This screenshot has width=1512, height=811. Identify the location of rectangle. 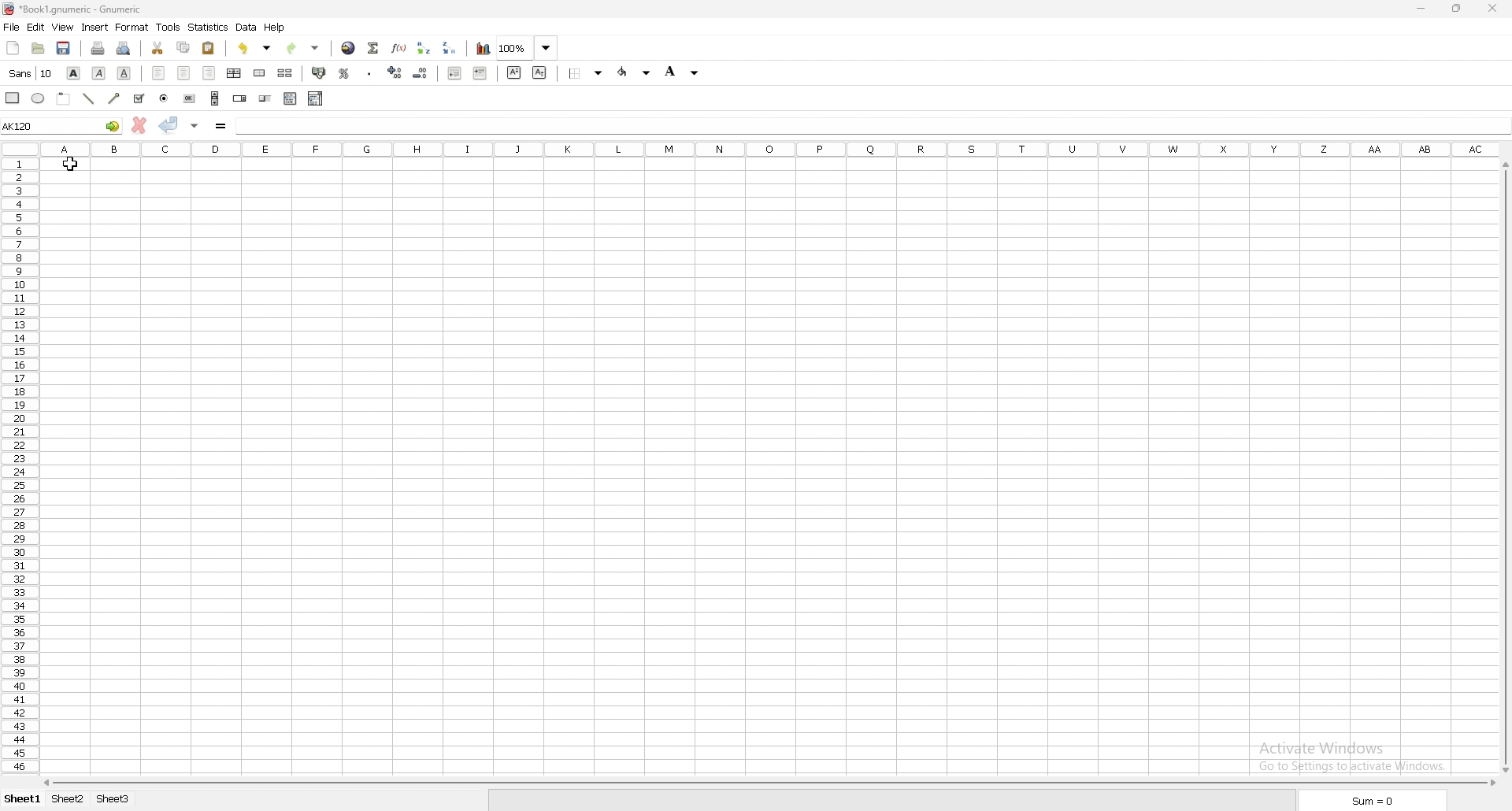
(13, 98).